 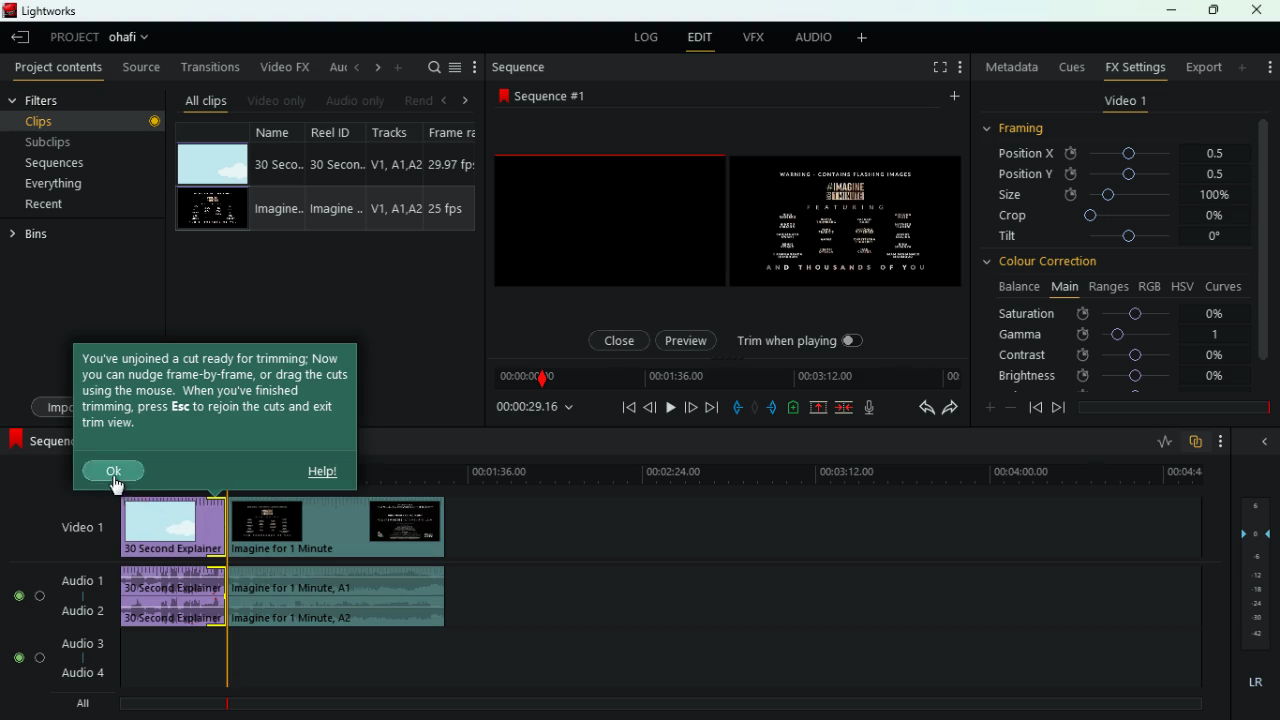 What do you see at coordinates (1121, 173) in the screenshot?
I see `position y` at bounding box center [1121, 173].